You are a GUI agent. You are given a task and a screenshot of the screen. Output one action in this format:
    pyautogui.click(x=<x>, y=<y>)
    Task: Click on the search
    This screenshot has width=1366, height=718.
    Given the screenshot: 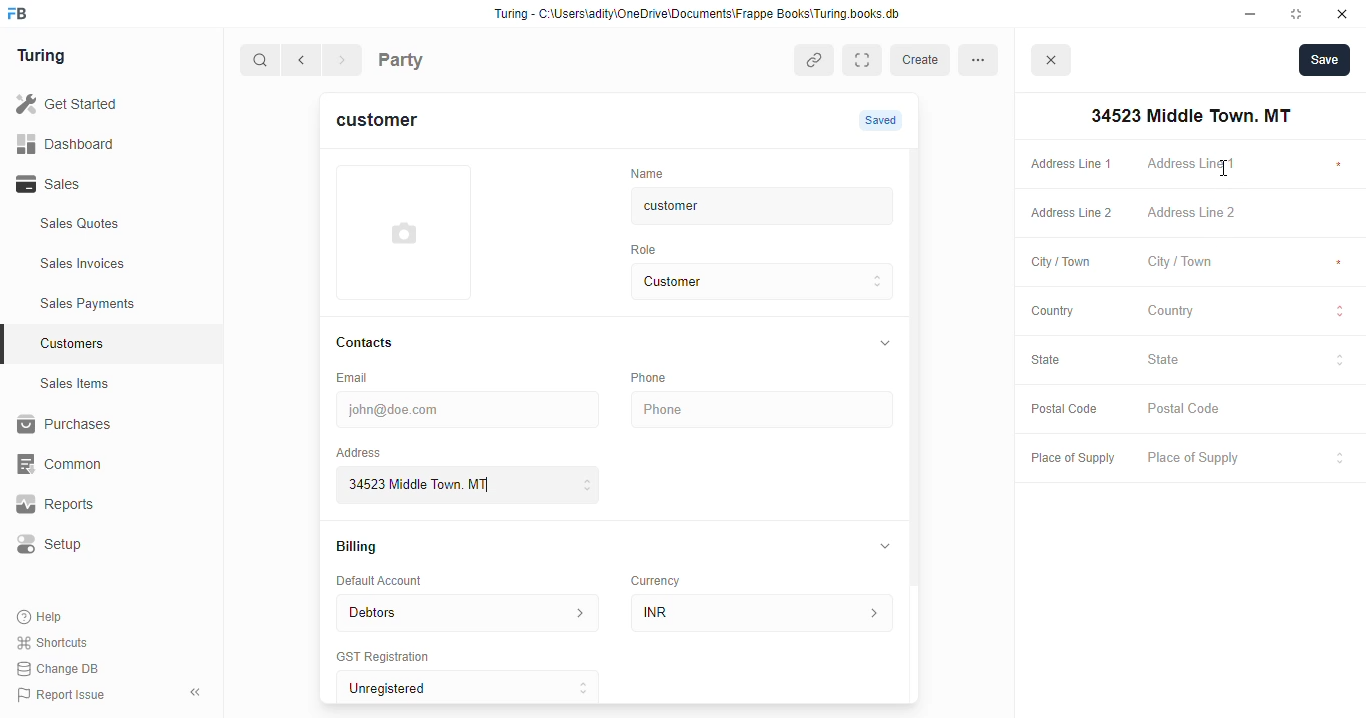 What is the action you would take?
    pyautogui.click(x=261, y=62)
    